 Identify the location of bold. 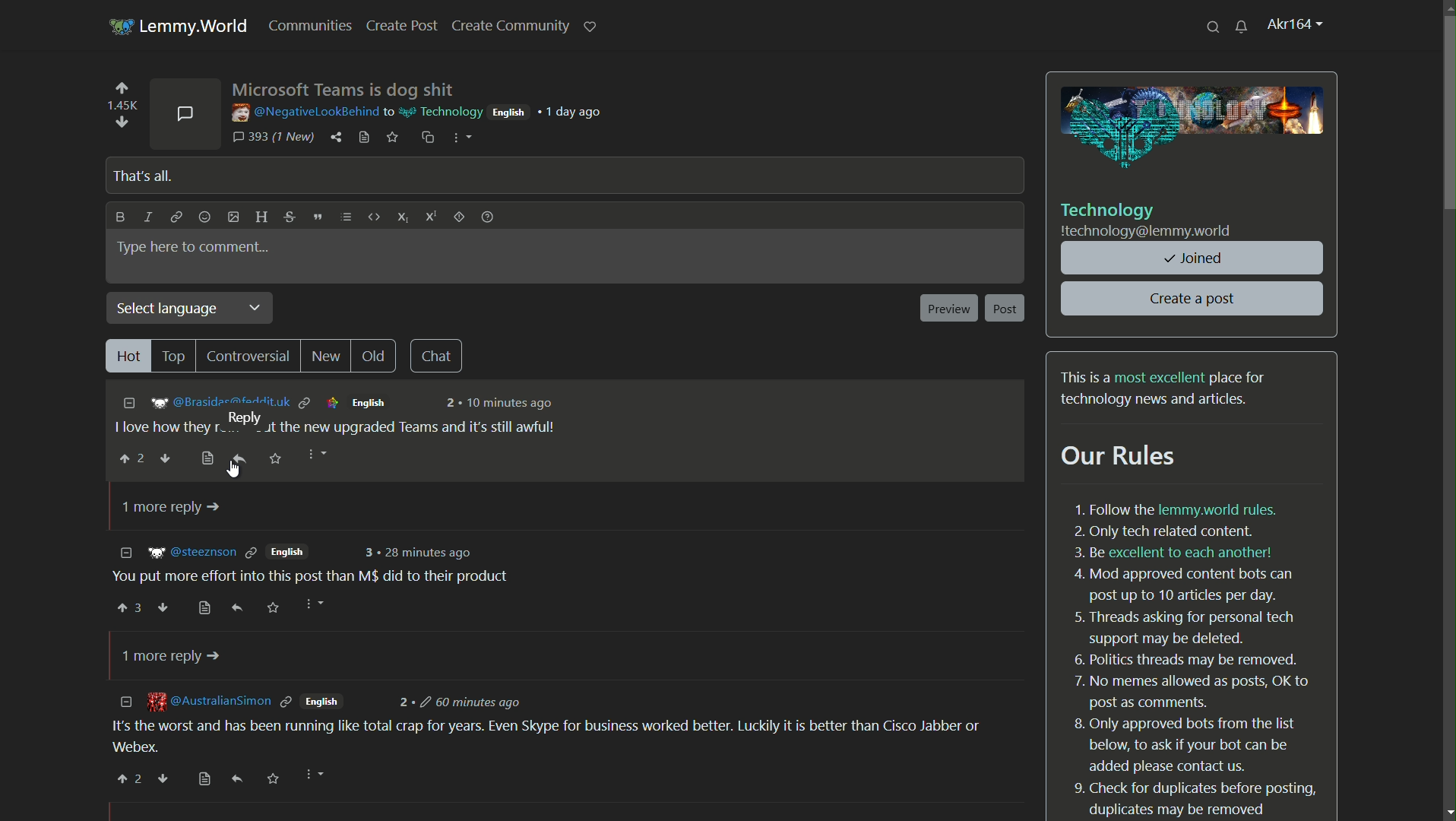
(118, 217).